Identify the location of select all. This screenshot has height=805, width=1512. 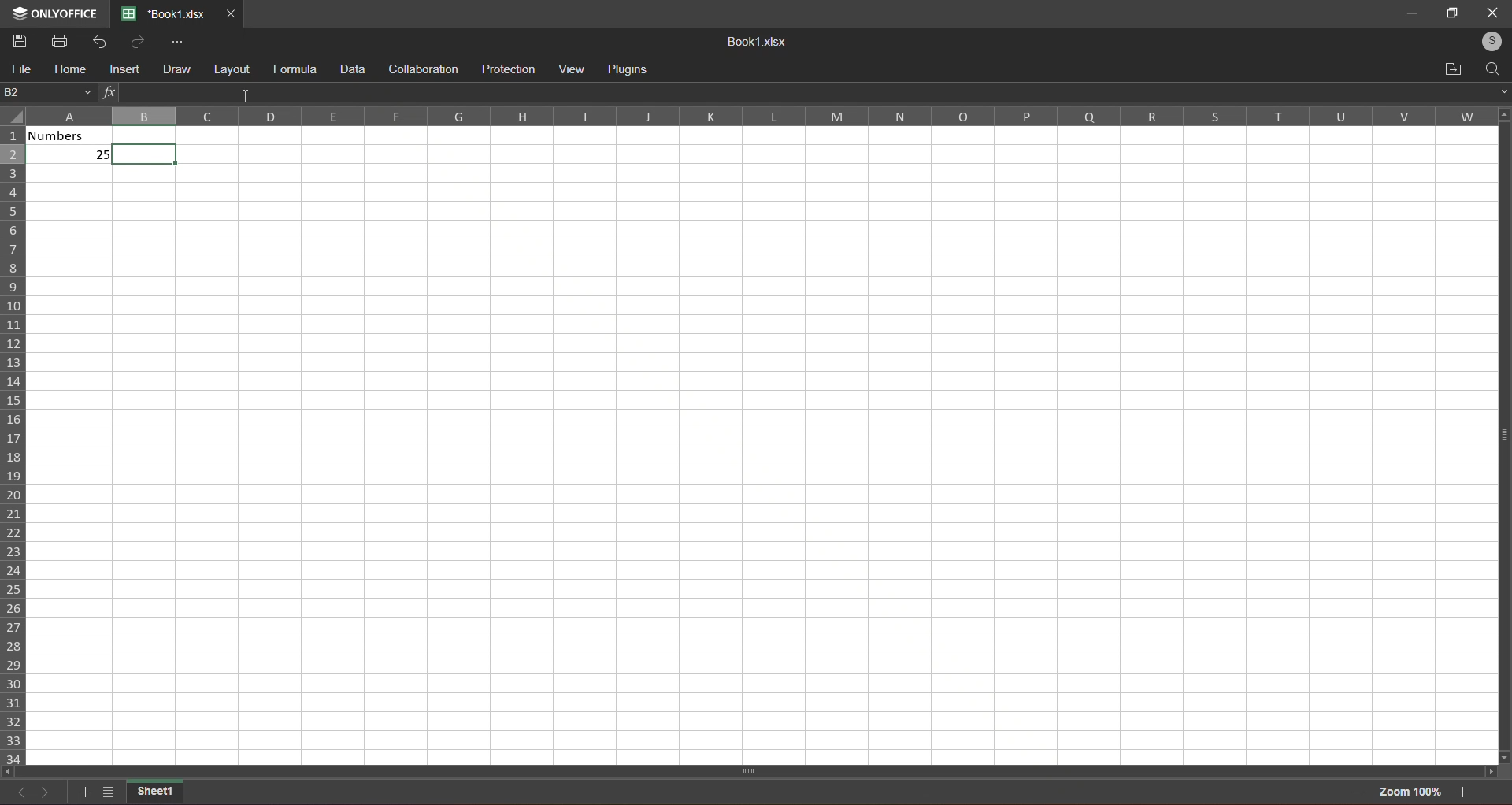
(14, 121).